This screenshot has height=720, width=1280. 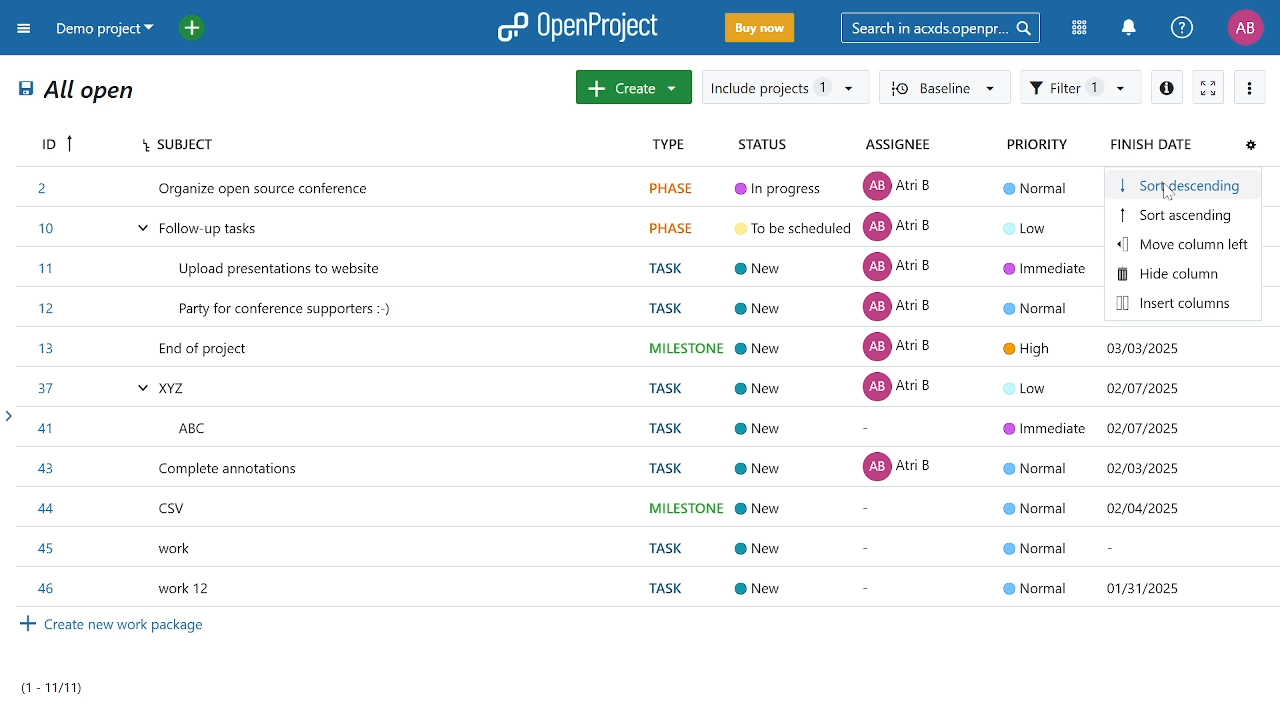 I want to click on open sidebar, so click(x=8, y=419).